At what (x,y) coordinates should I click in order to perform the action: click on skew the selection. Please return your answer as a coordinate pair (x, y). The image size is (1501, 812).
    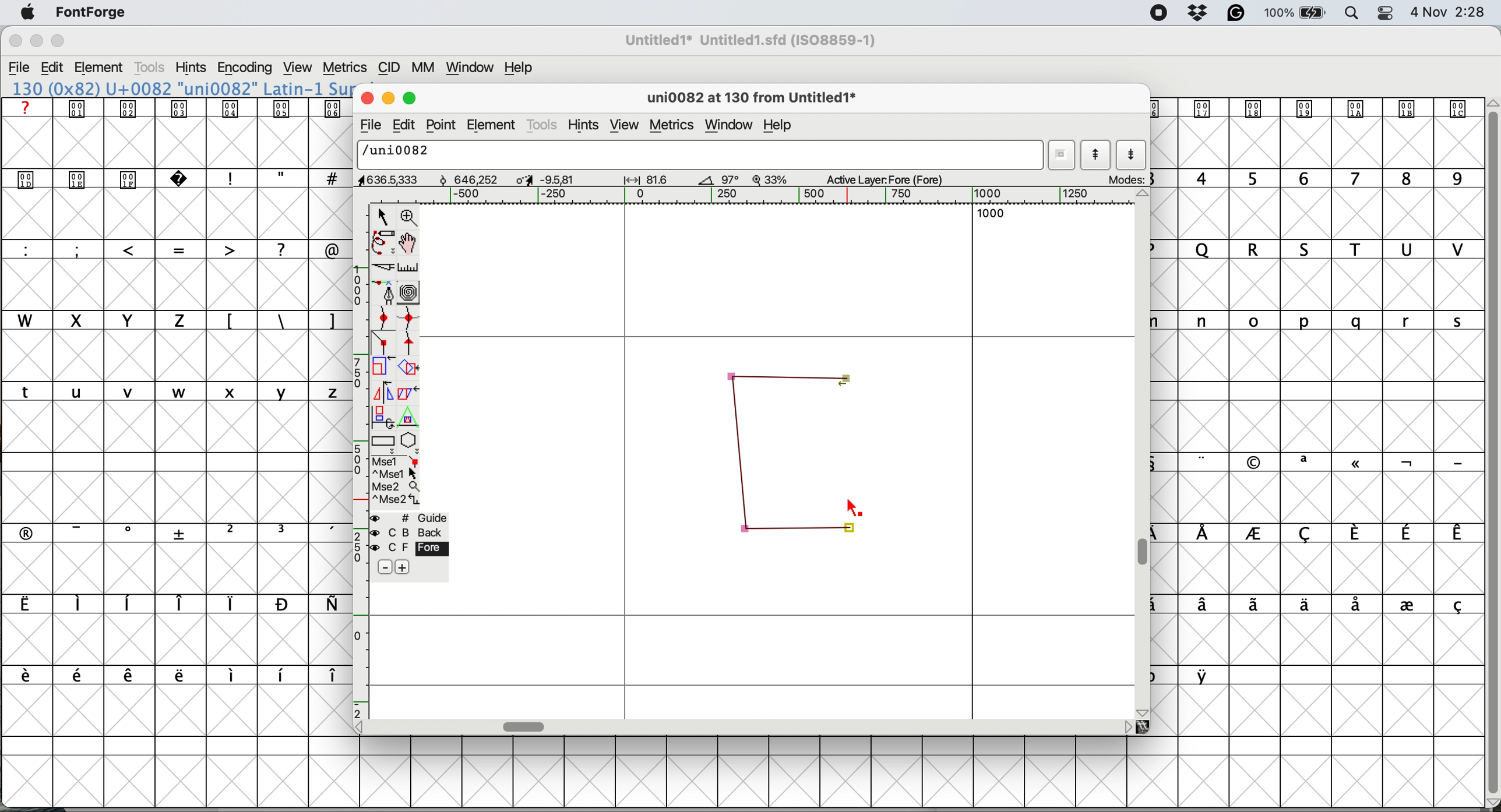
    Looking at the image, I should click on (406, 391).